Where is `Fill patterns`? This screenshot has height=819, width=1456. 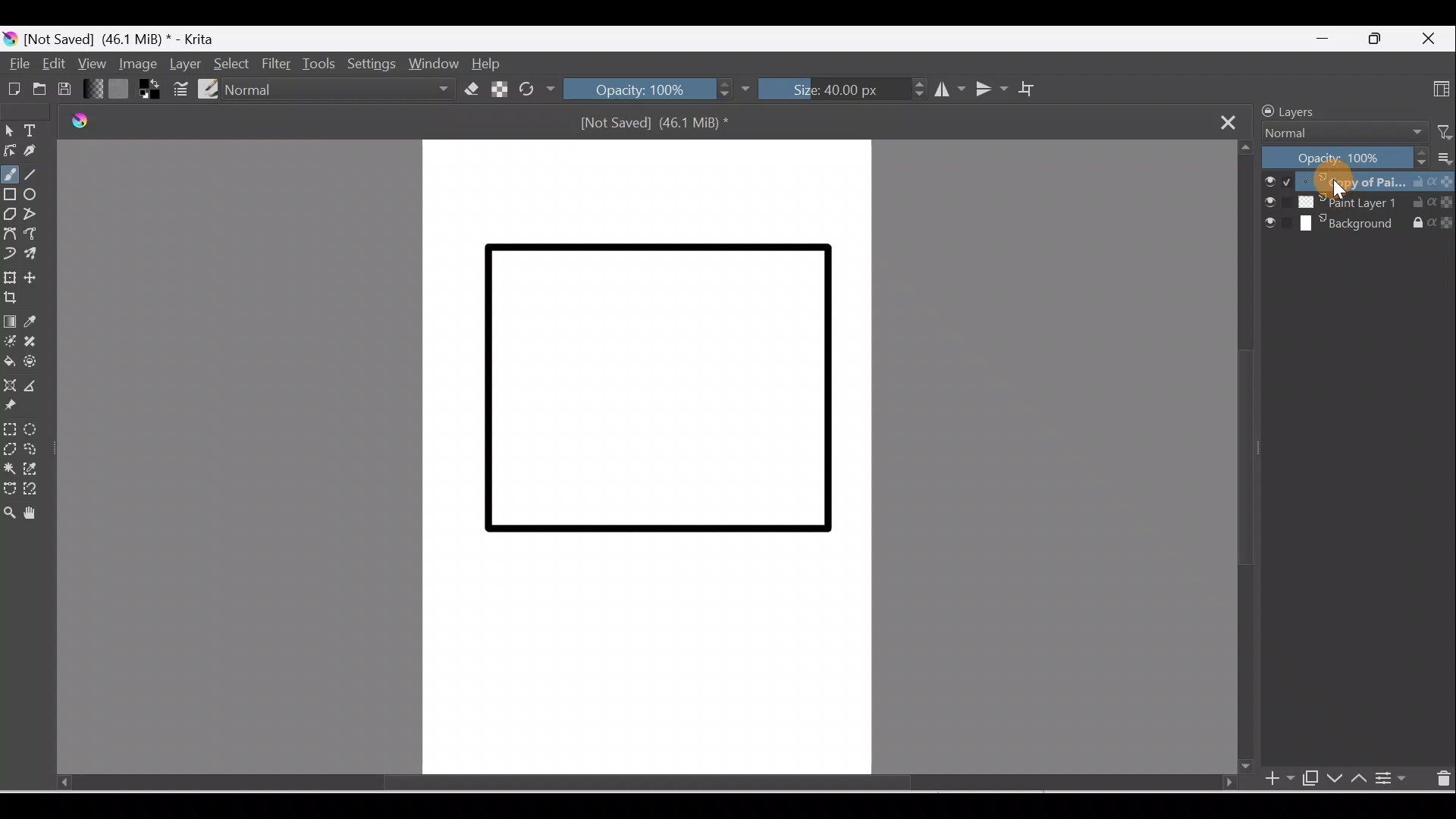 Fill patterns is located at coordinates (122, 91).